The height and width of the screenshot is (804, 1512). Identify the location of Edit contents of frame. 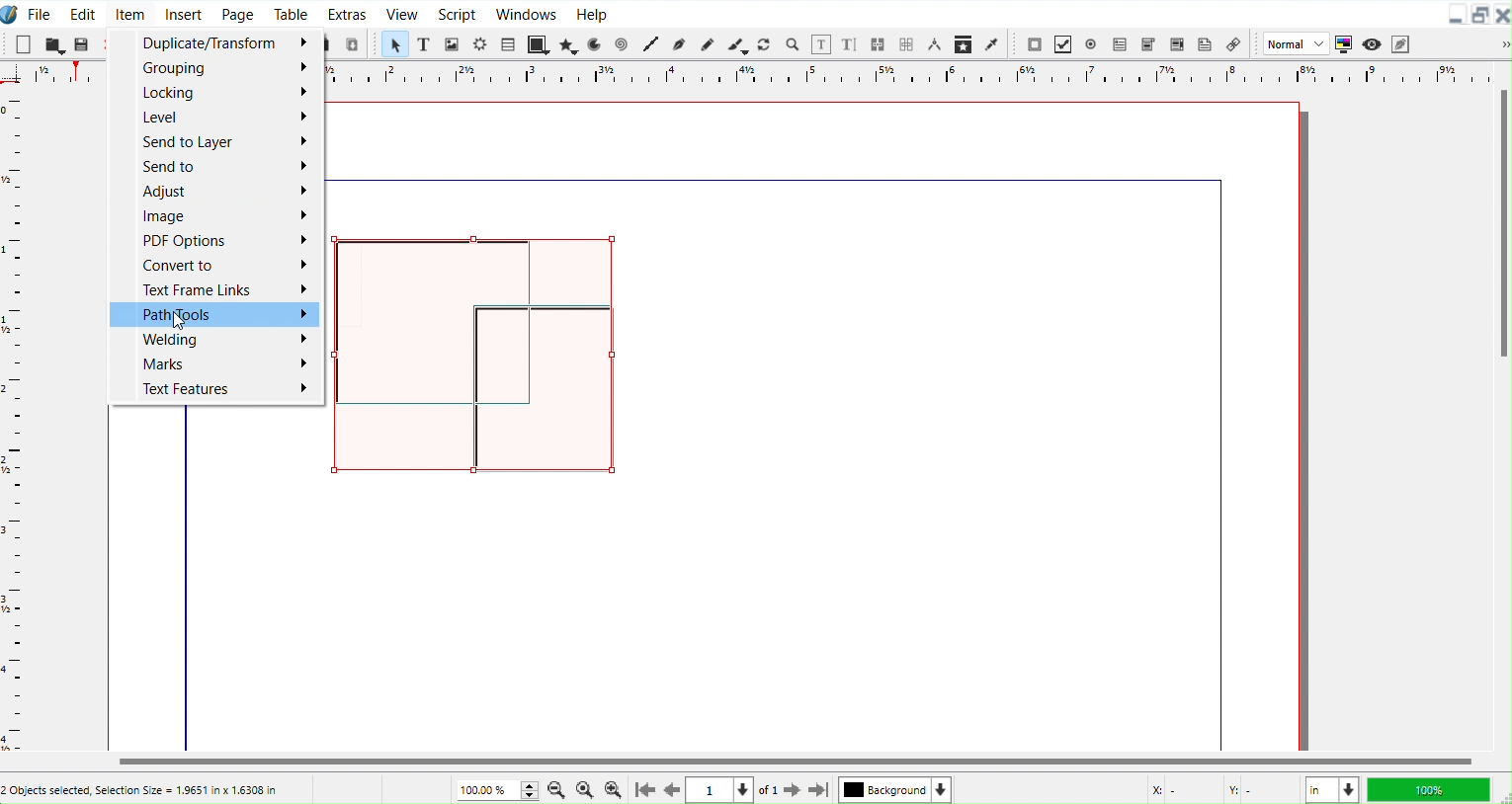
(821, 44).